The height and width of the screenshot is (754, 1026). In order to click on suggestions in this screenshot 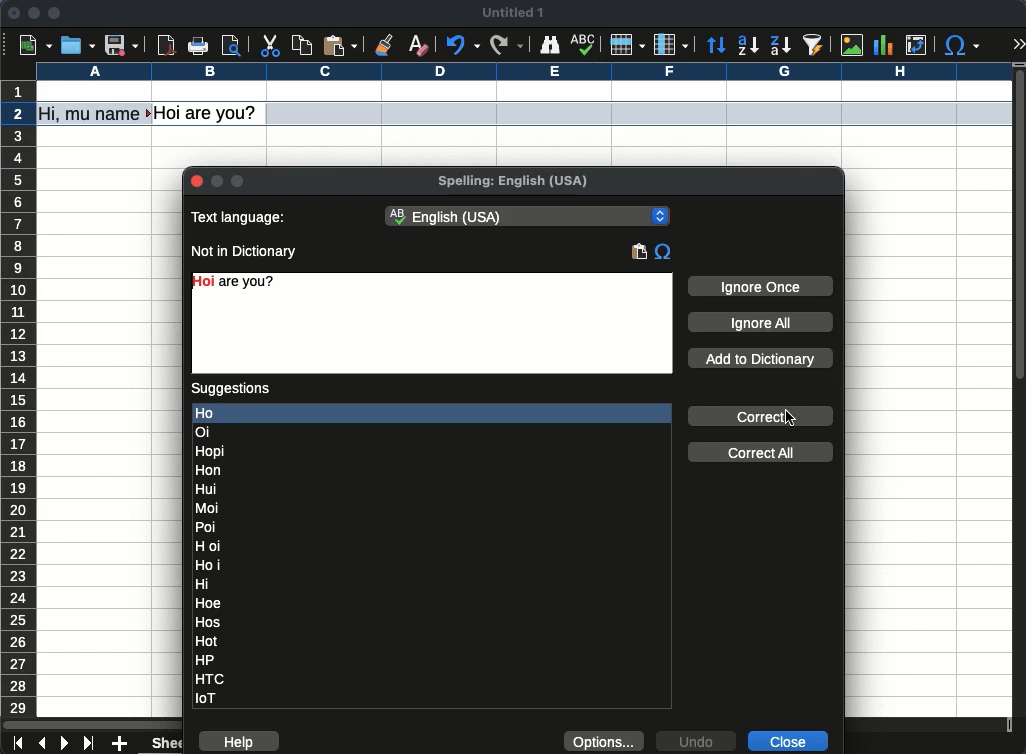, I will do `click(231, 390)`.